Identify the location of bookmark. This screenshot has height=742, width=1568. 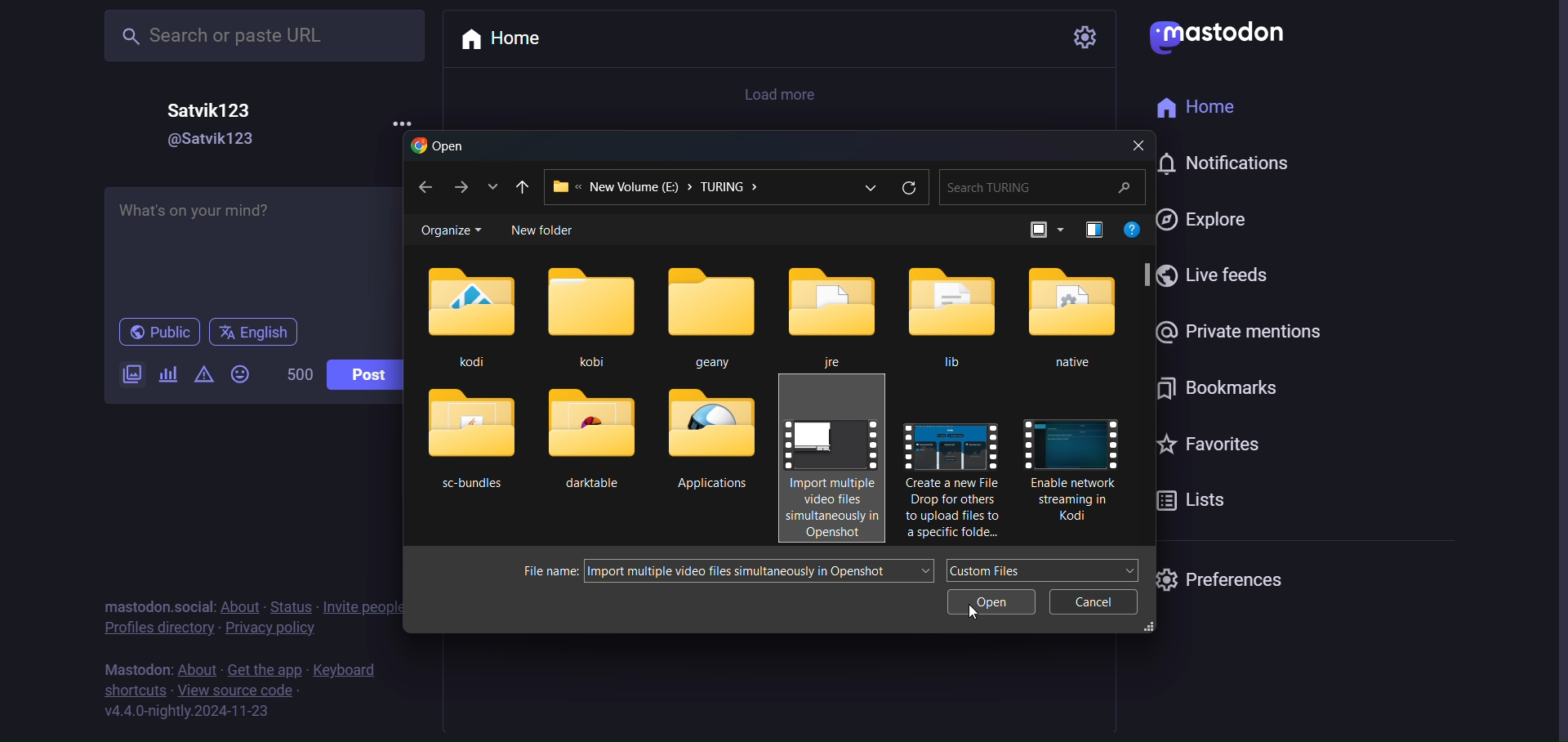
(1215, 391).